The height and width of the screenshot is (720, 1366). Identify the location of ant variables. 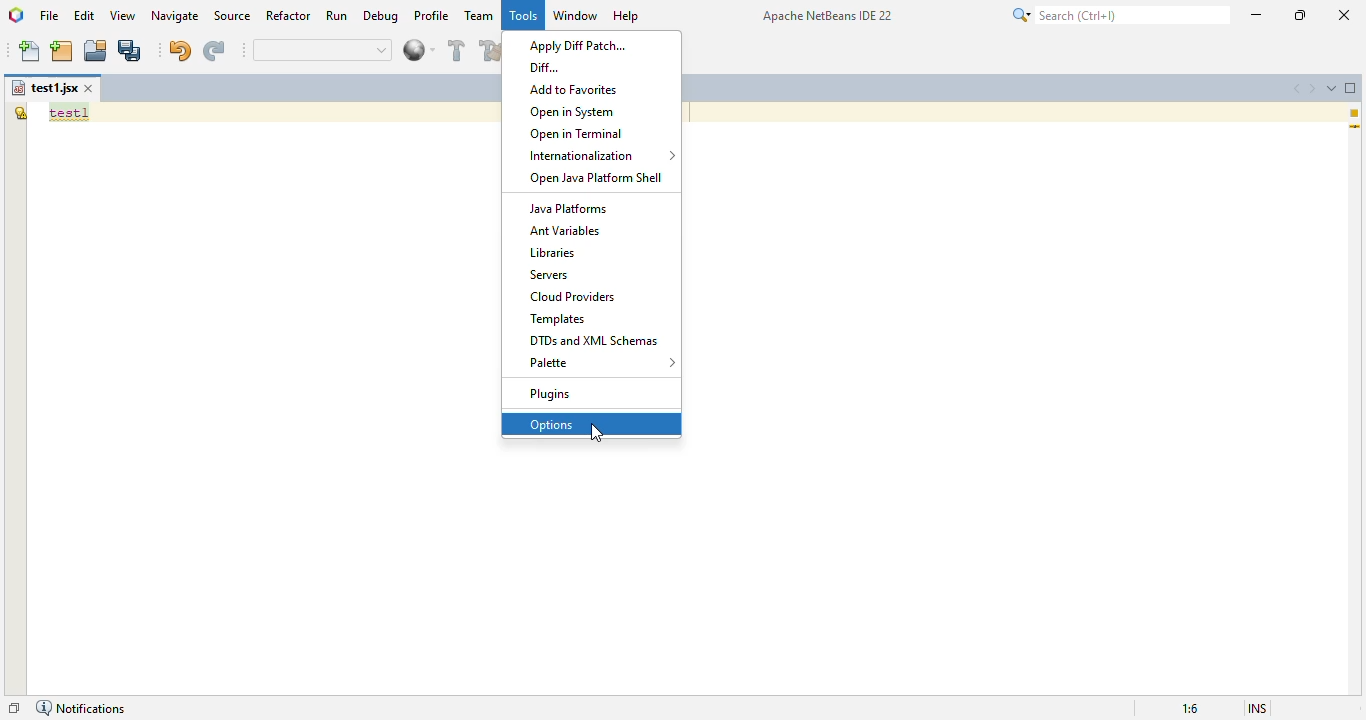
(565, 230).